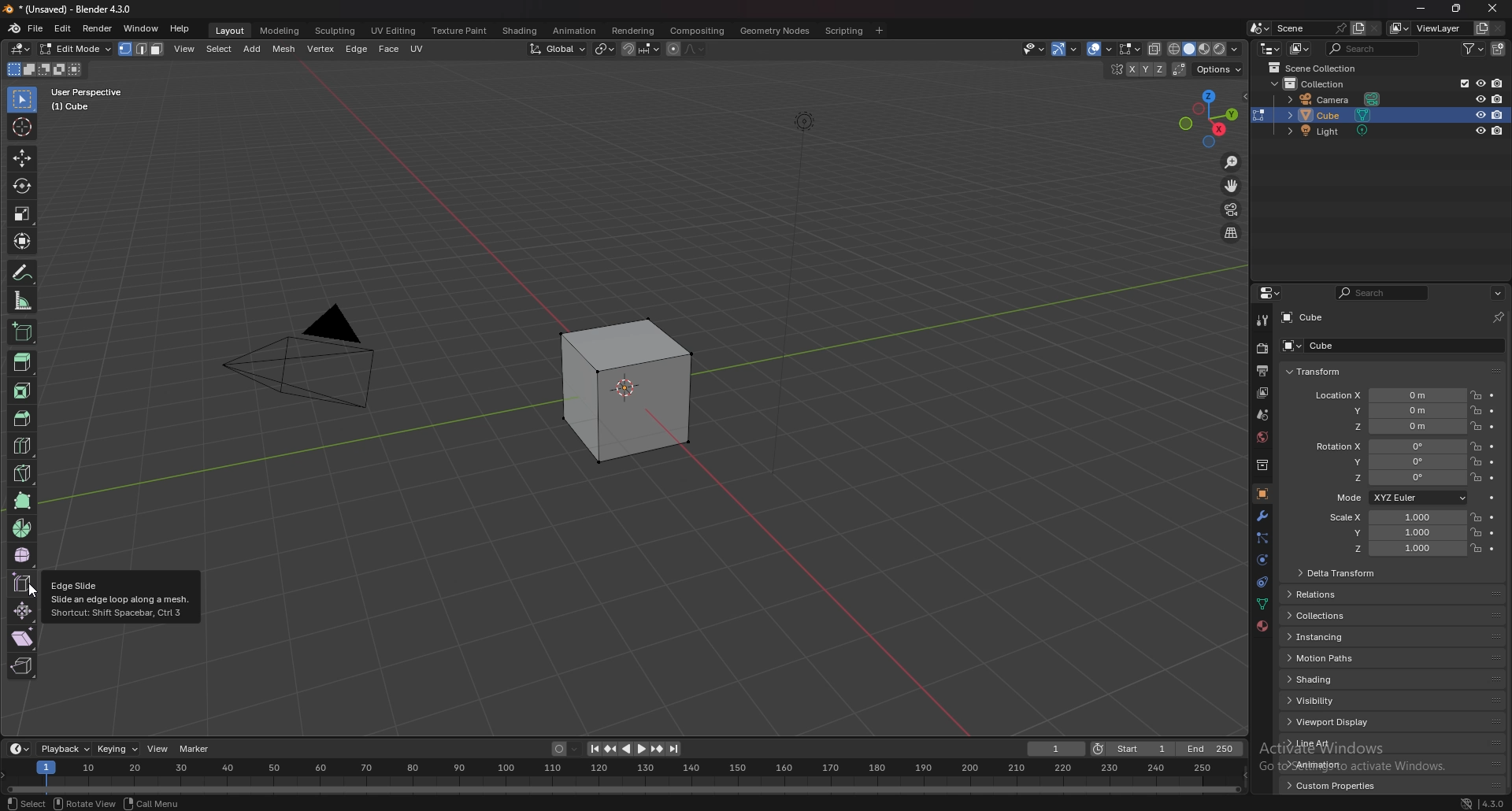 This screenshot has width=1512, height=811. What do you see at coordinates (354, 48) in the screenshot?
I see `Edge` at bounding box center [354, 48].